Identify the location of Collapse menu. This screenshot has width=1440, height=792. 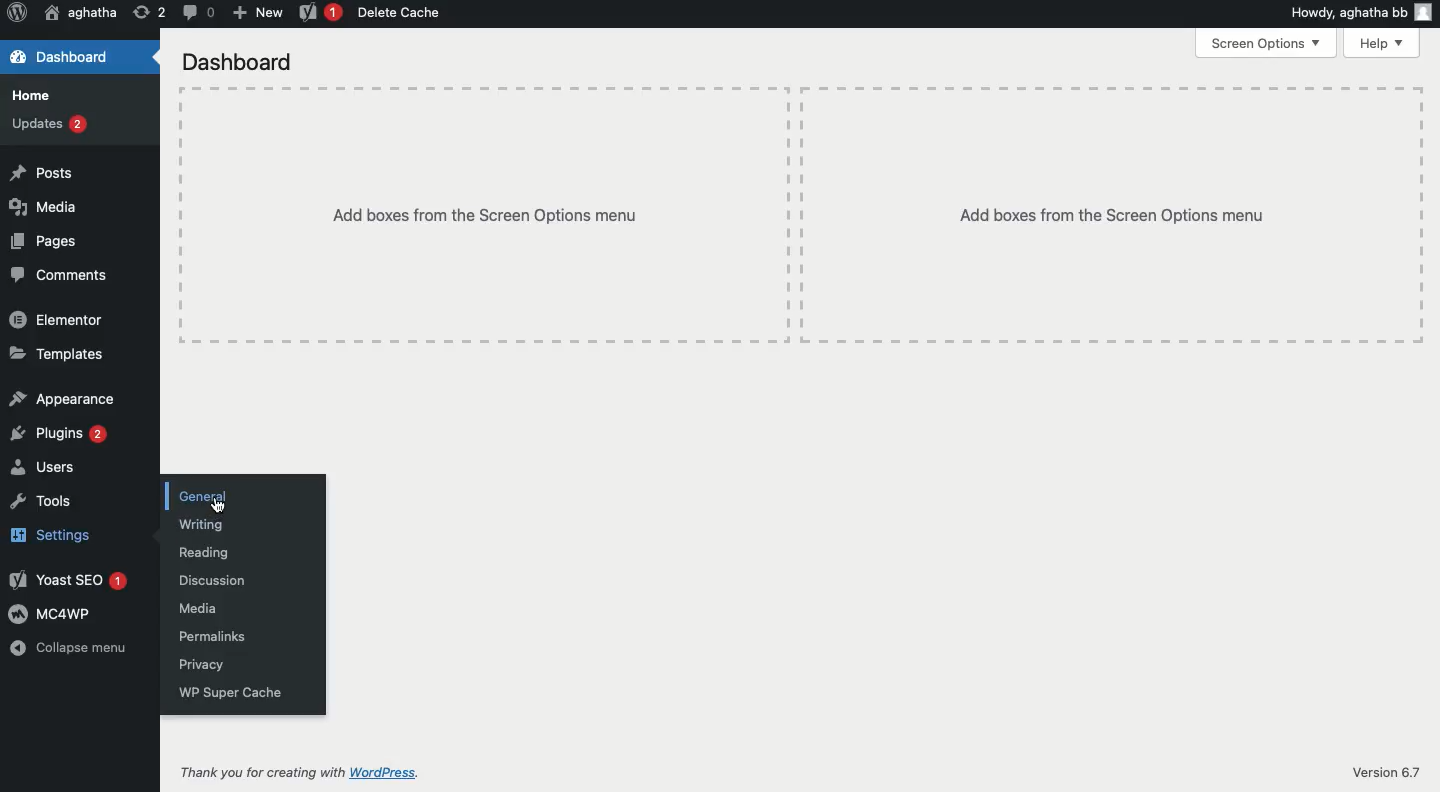
(67, 648).